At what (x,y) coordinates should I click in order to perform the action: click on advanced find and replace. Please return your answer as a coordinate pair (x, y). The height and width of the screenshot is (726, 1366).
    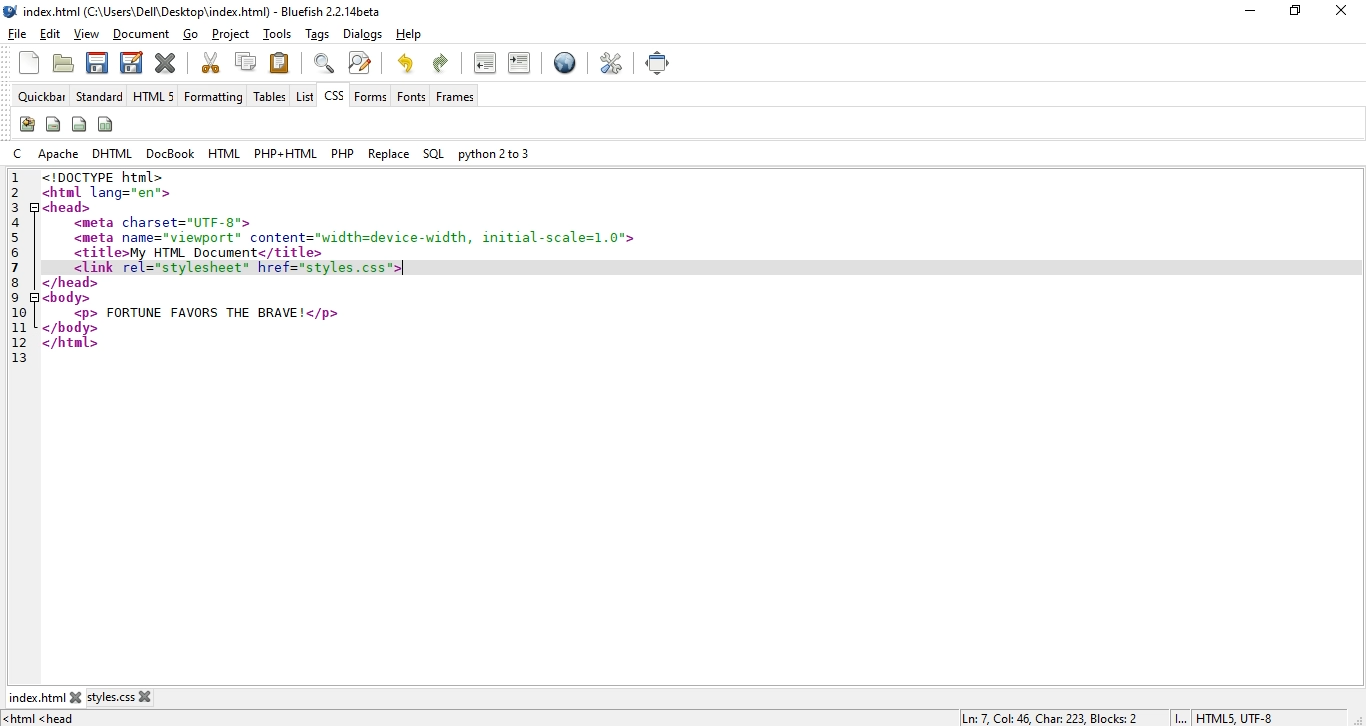
    Looking at the image, I should click on (359, 62).